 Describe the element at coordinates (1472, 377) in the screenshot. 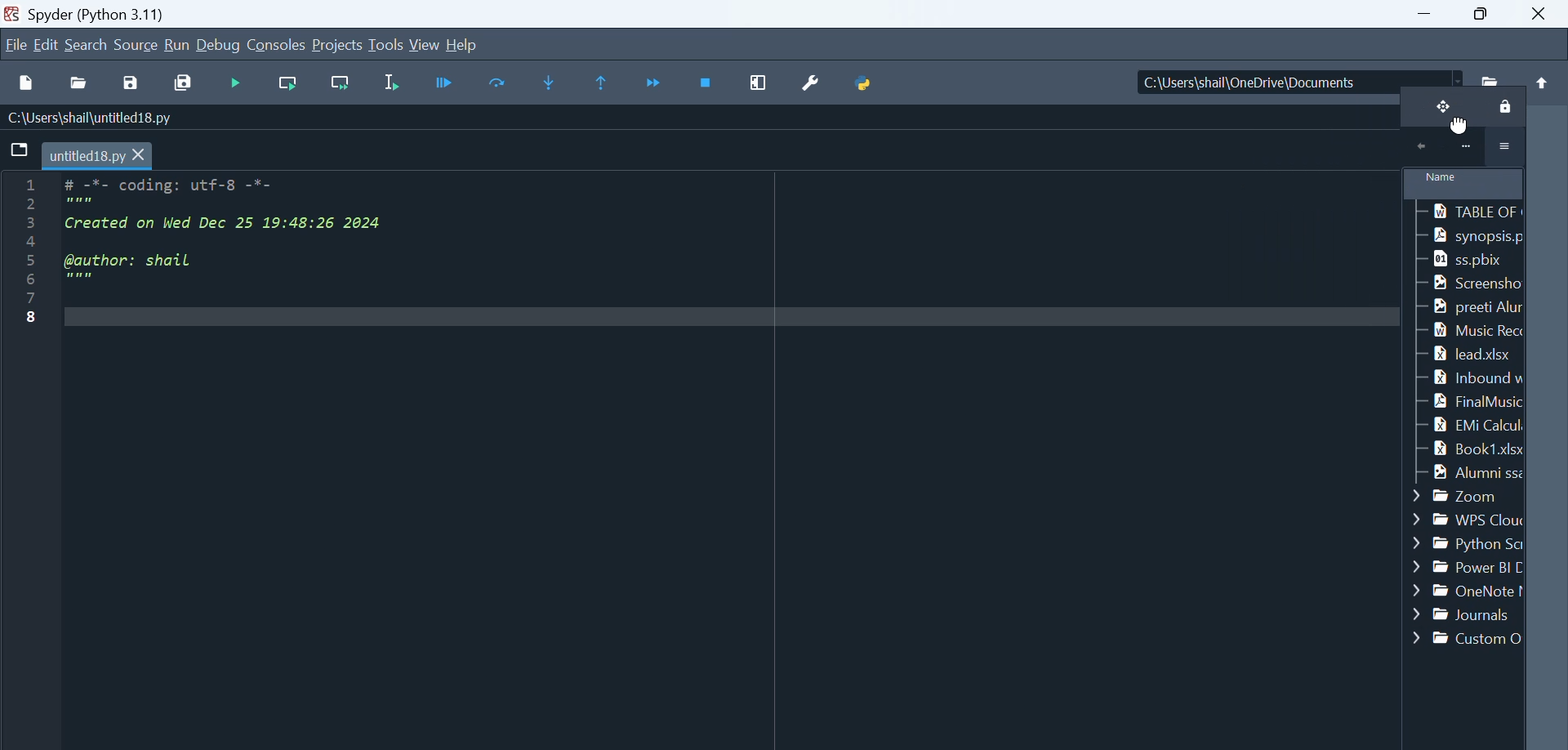

I see `Inbound w..` at that location.